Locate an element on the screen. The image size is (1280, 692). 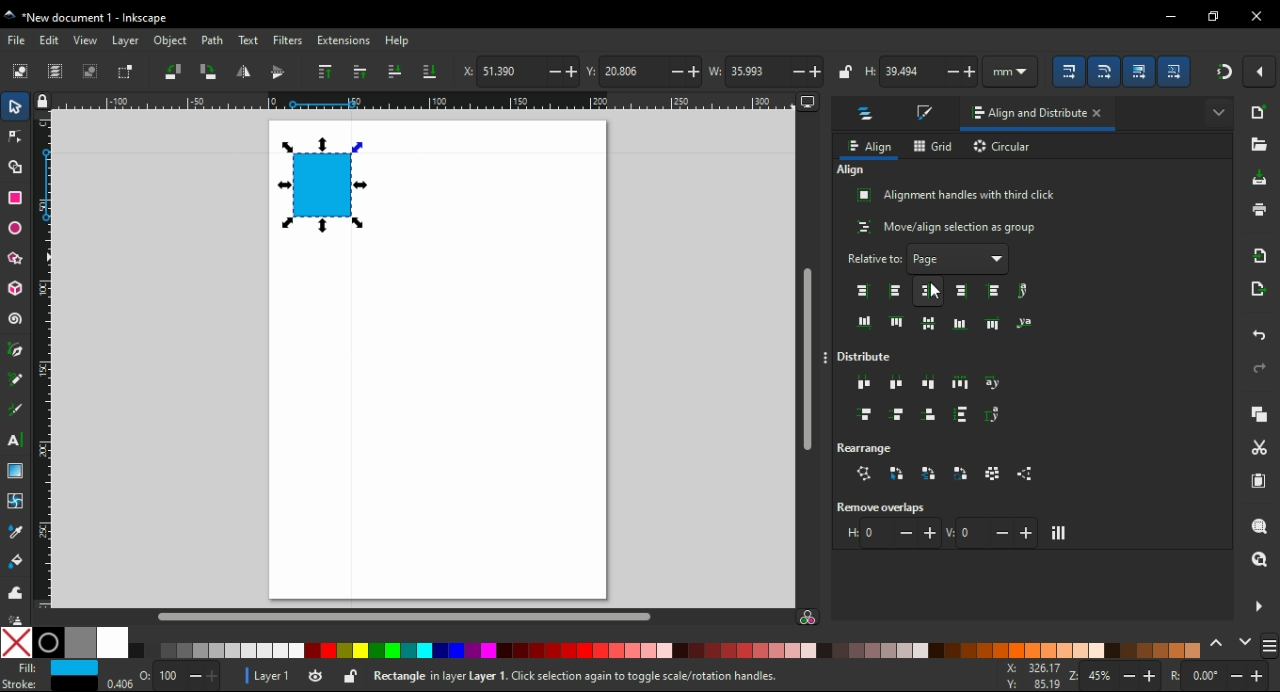
close window is located at coordinates (1257, 16).